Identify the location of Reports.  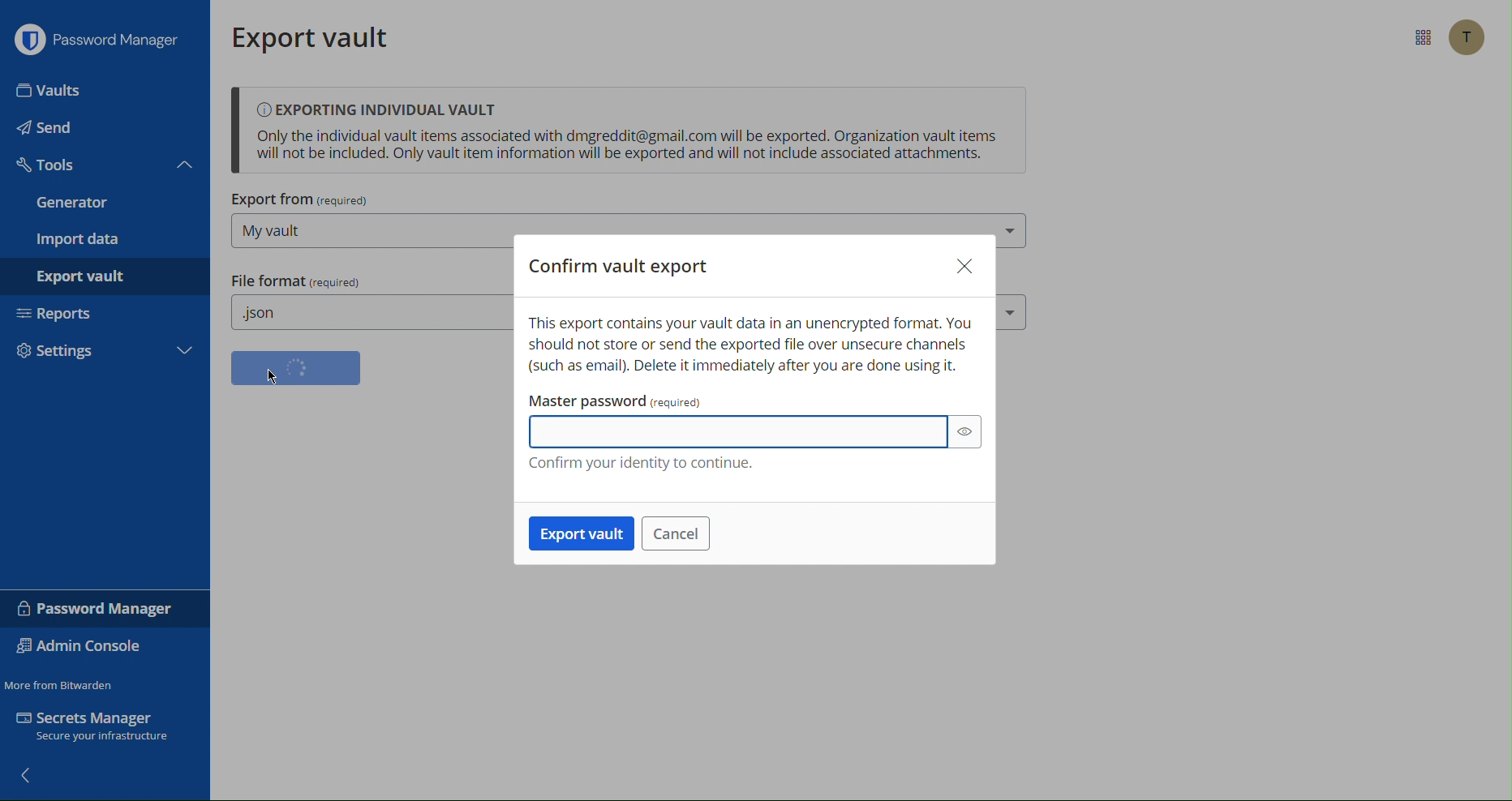
(56, 318).